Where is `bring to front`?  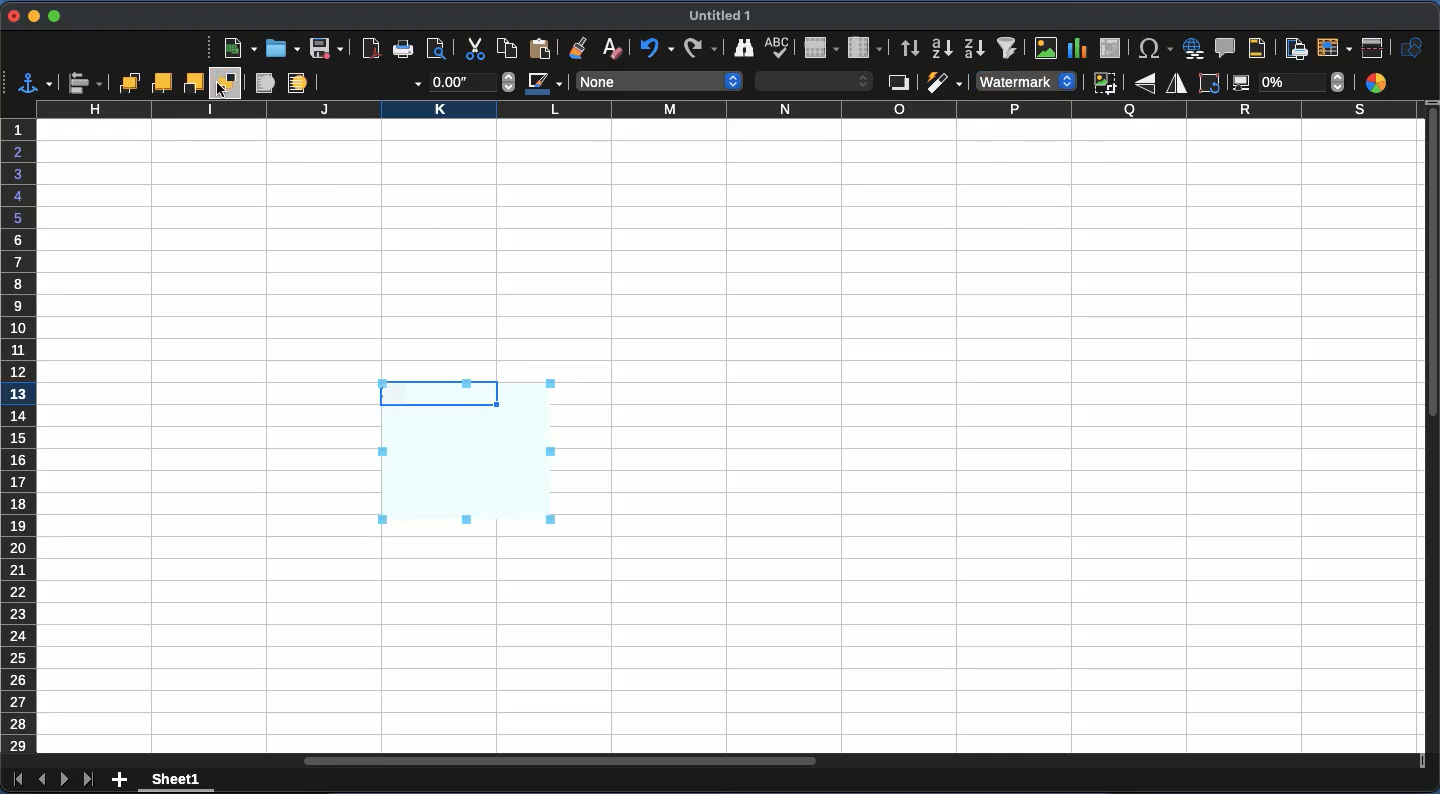 bring to front is located at coordinates (126, 83).